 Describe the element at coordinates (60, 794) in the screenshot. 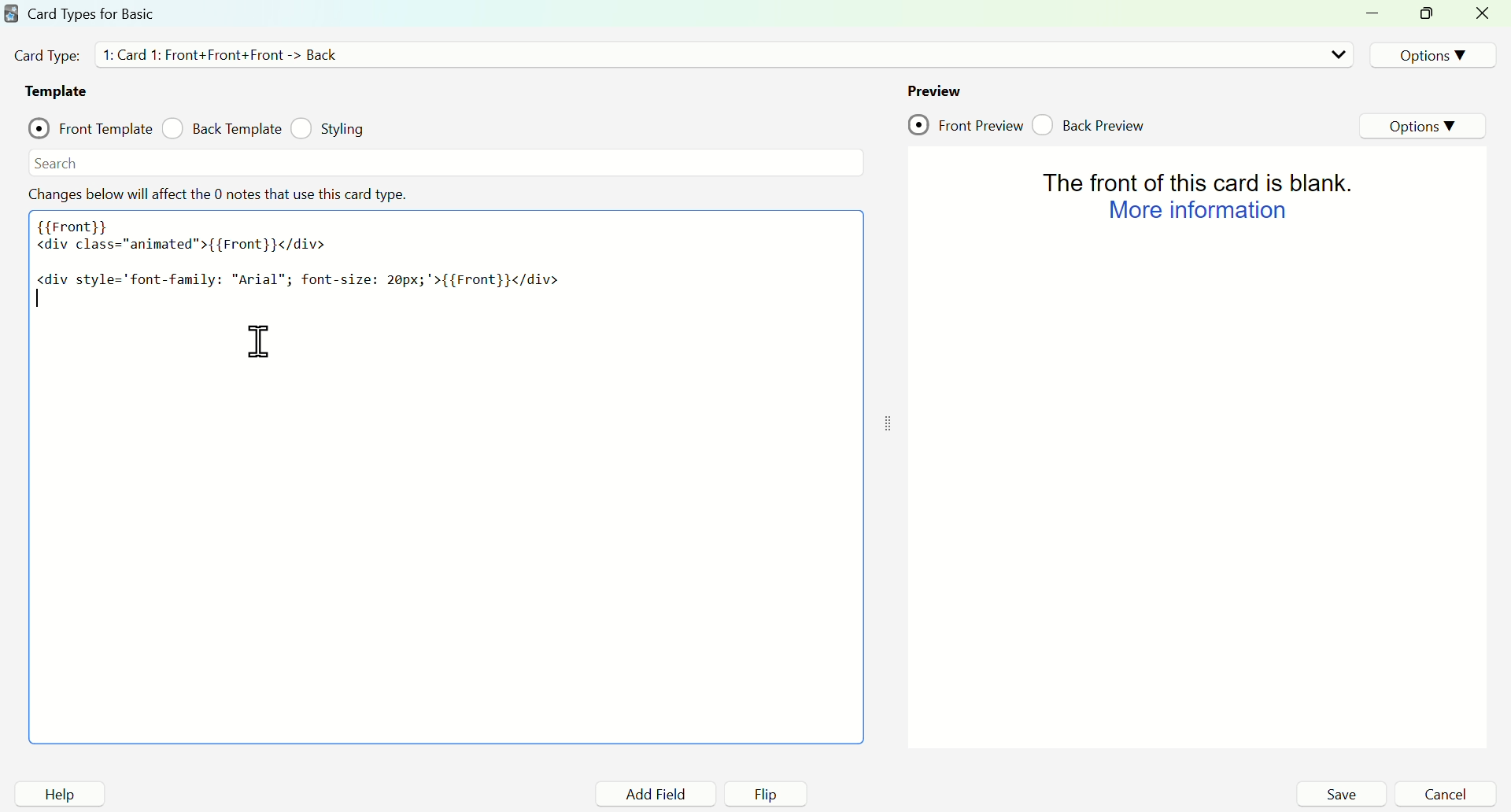

I see `help` at that location.